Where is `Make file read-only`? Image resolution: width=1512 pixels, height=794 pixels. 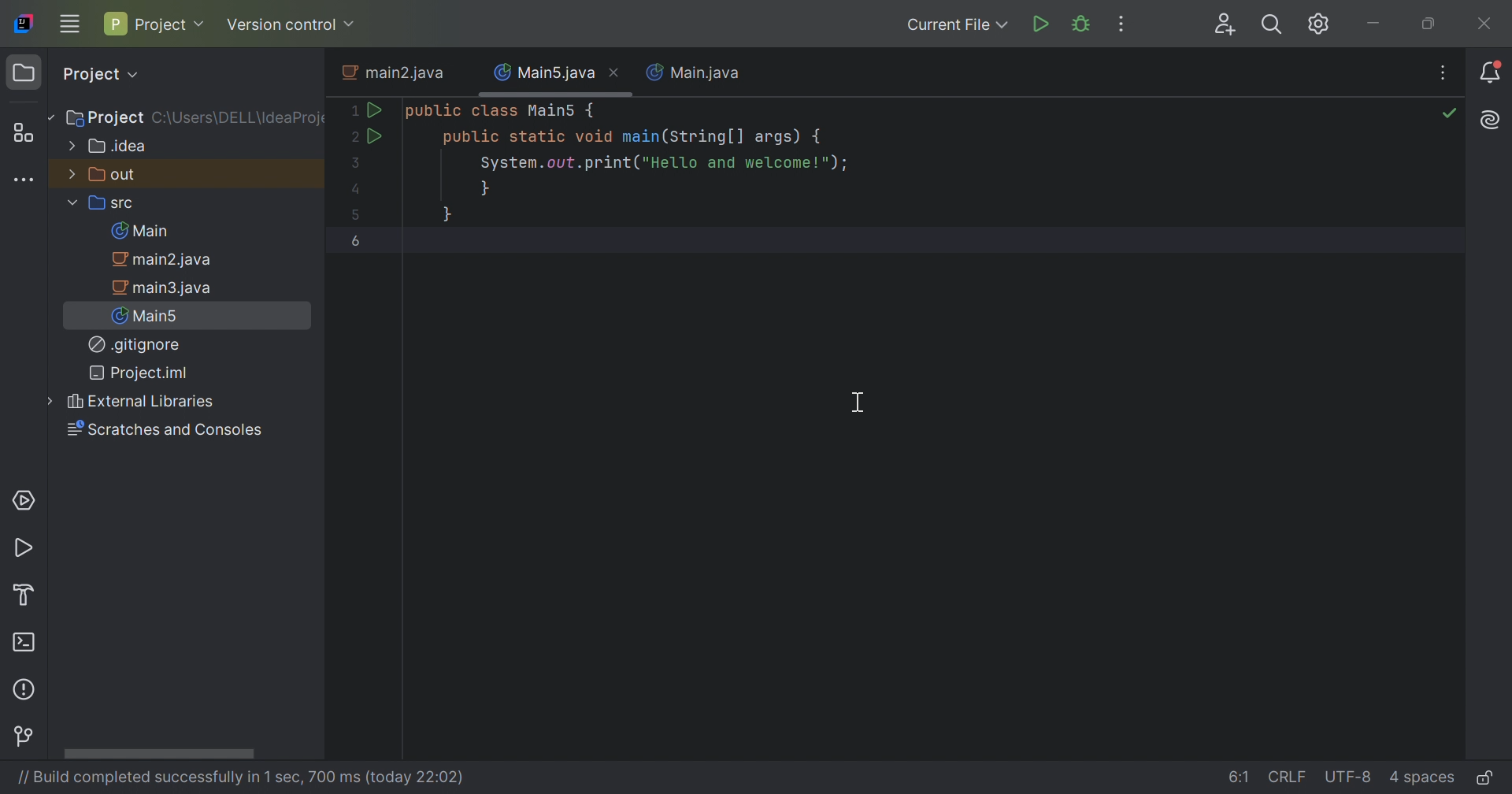
Make file read-only is located at coordinates (1486, 779).